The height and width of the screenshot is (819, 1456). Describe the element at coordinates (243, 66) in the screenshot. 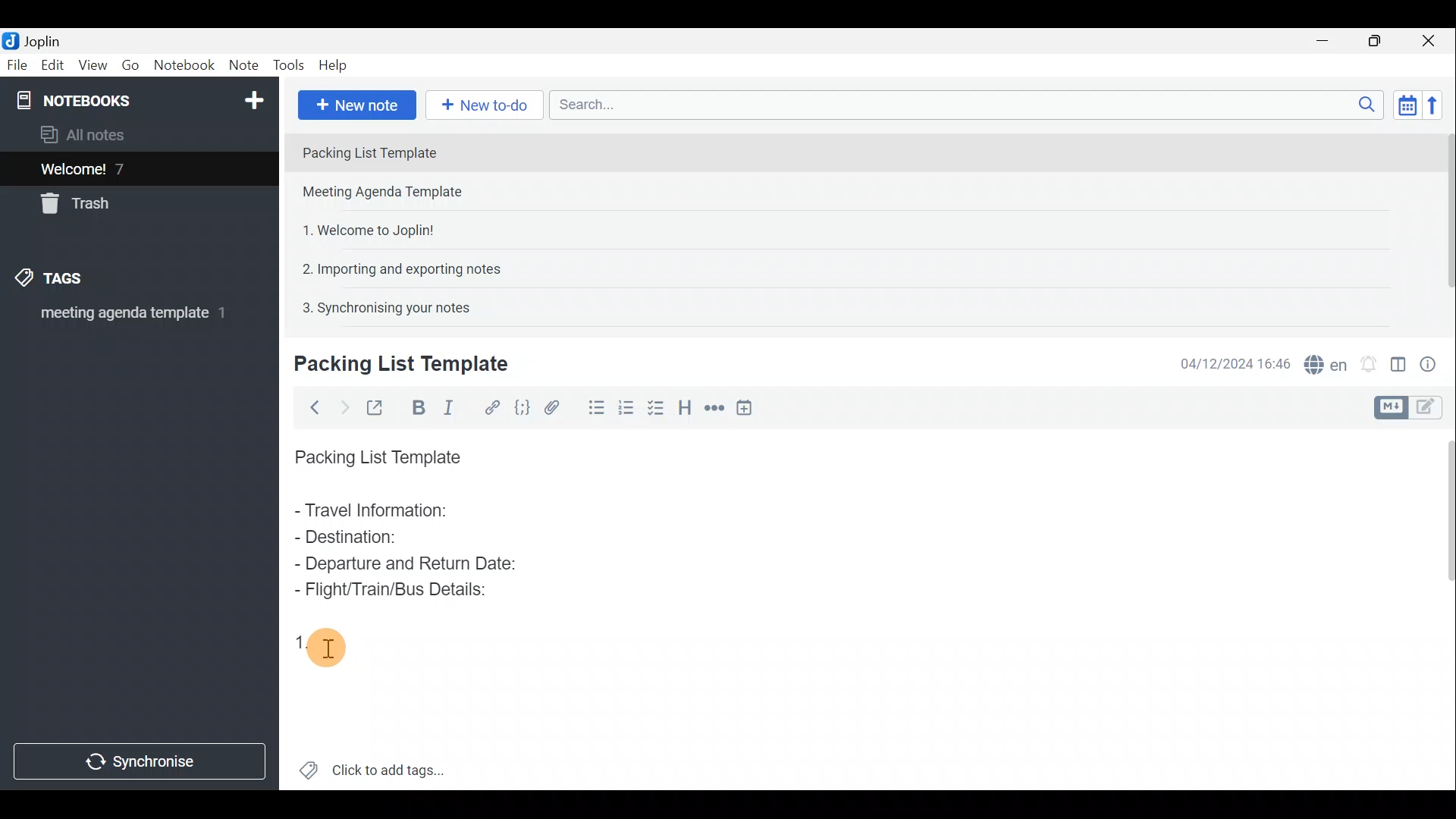

I see `Note` at that location.